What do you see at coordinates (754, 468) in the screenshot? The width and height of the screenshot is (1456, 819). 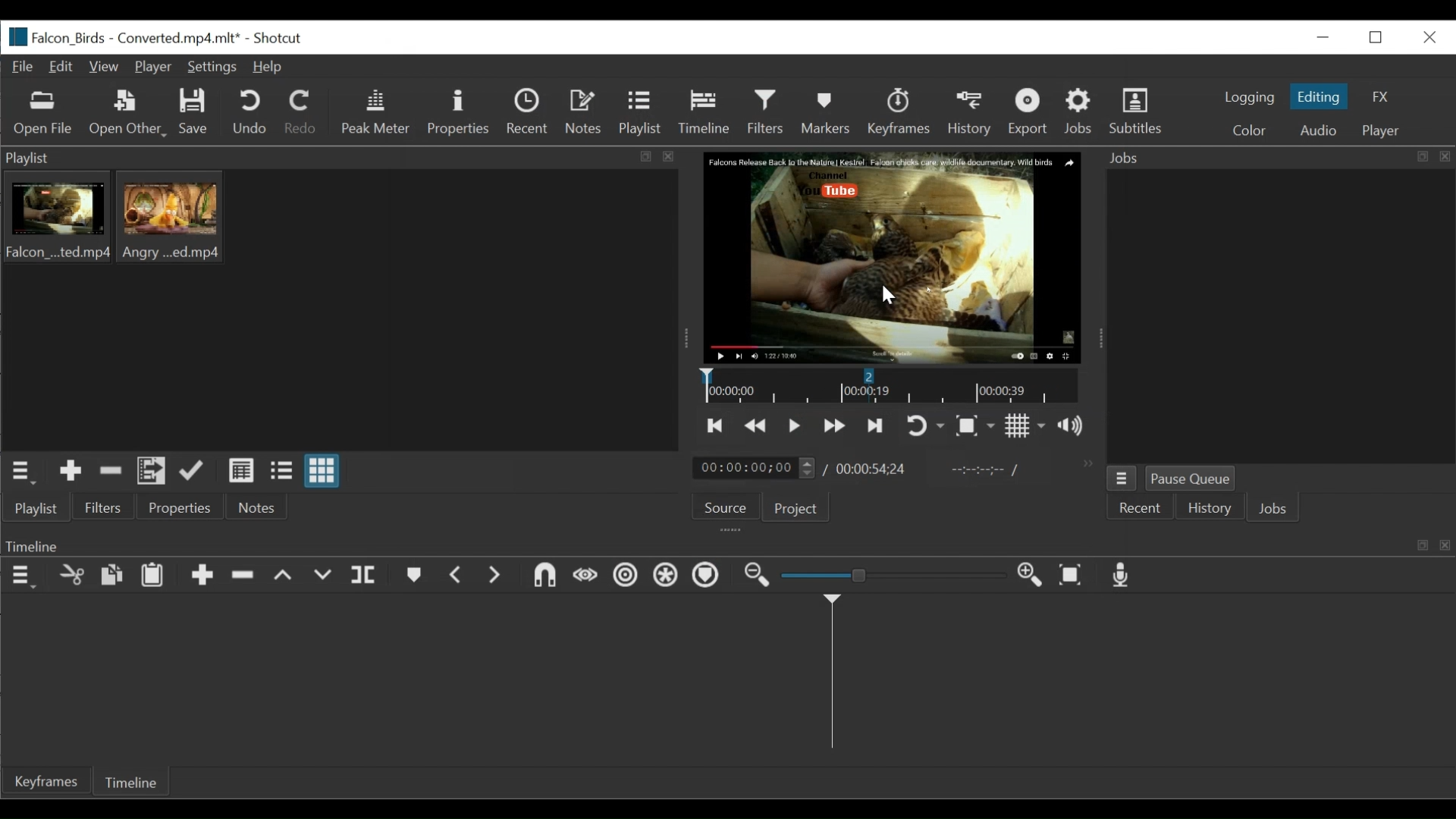 I see `Current Duration` at bounding box center [754, 468].